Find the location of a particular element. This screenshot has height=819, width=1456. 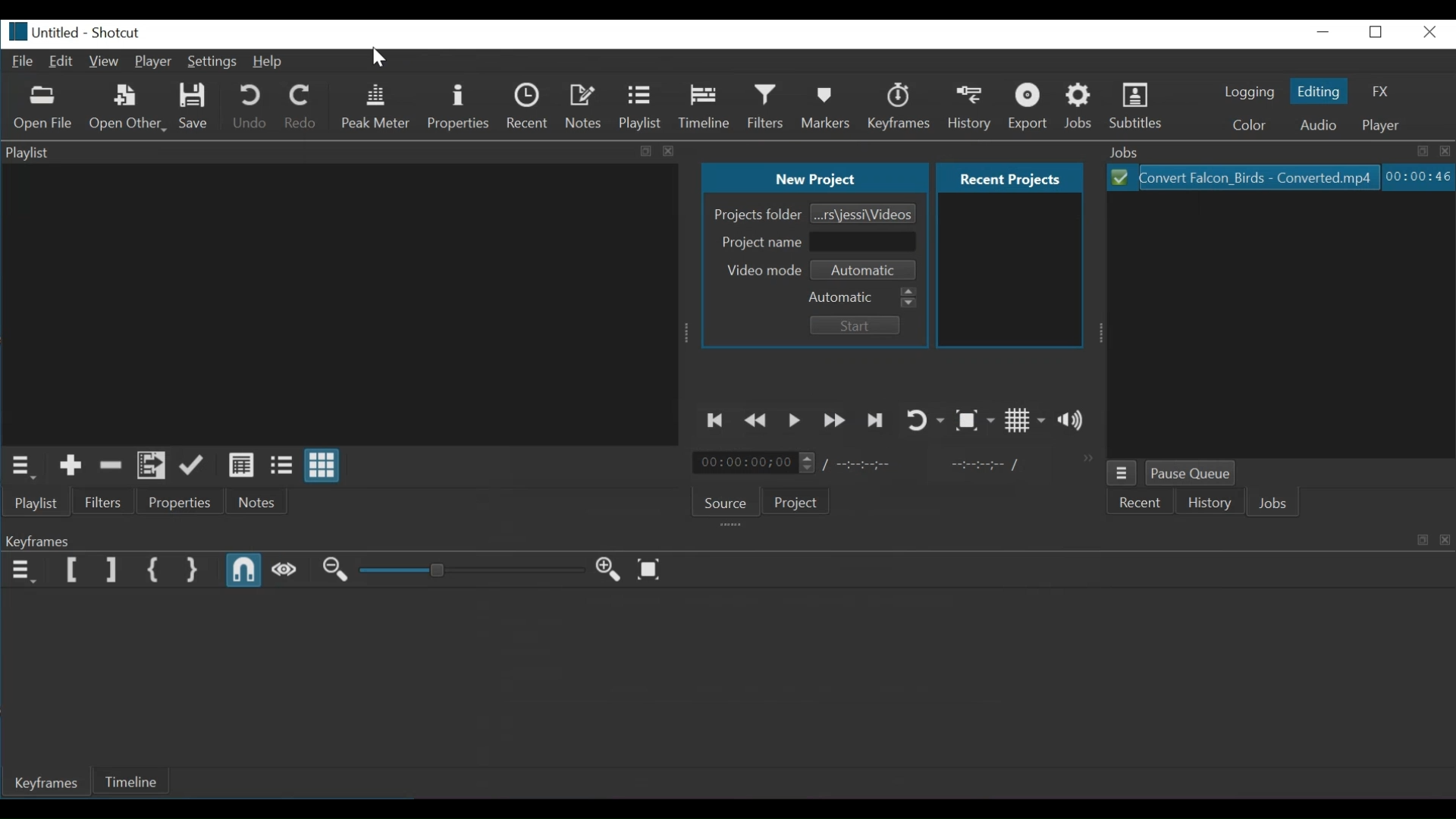

Zoom Keyframe to fit  is located at coordinates (653, 571).